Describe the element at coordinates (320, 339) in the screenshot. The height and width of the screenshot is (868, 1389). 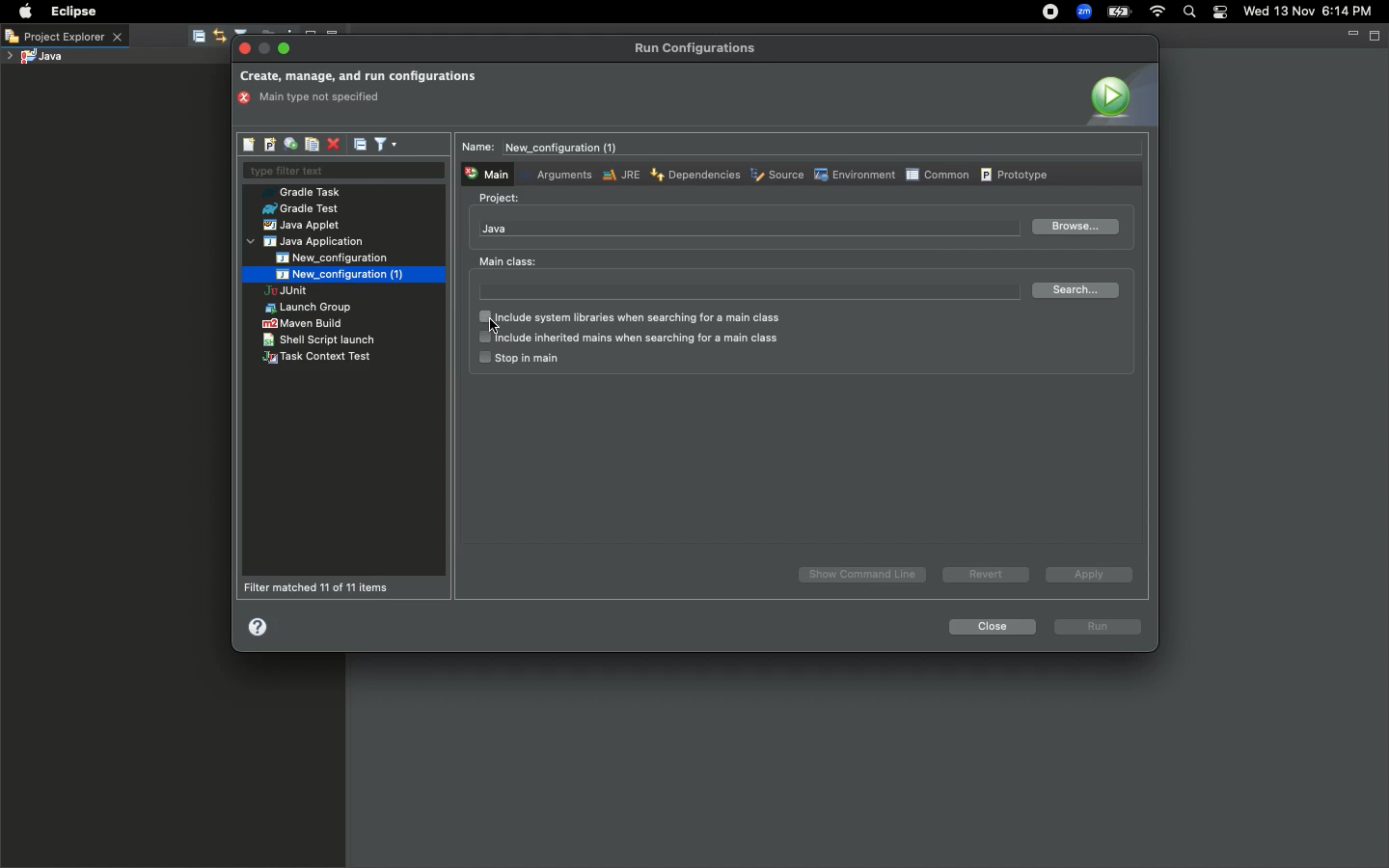
I see `Shell script launch` at that location.